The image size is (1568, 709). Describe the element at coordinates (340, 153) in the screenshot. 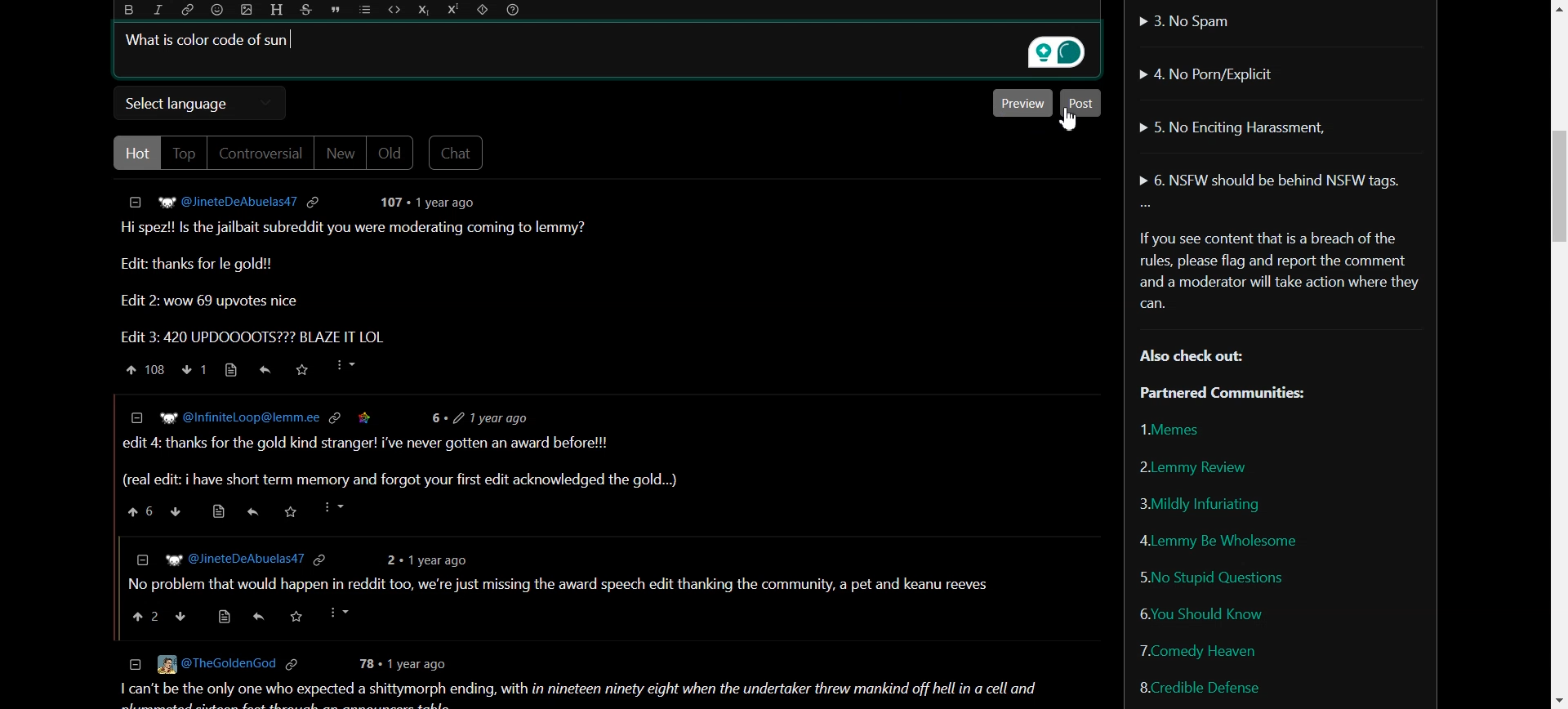

I see `New` at that location.